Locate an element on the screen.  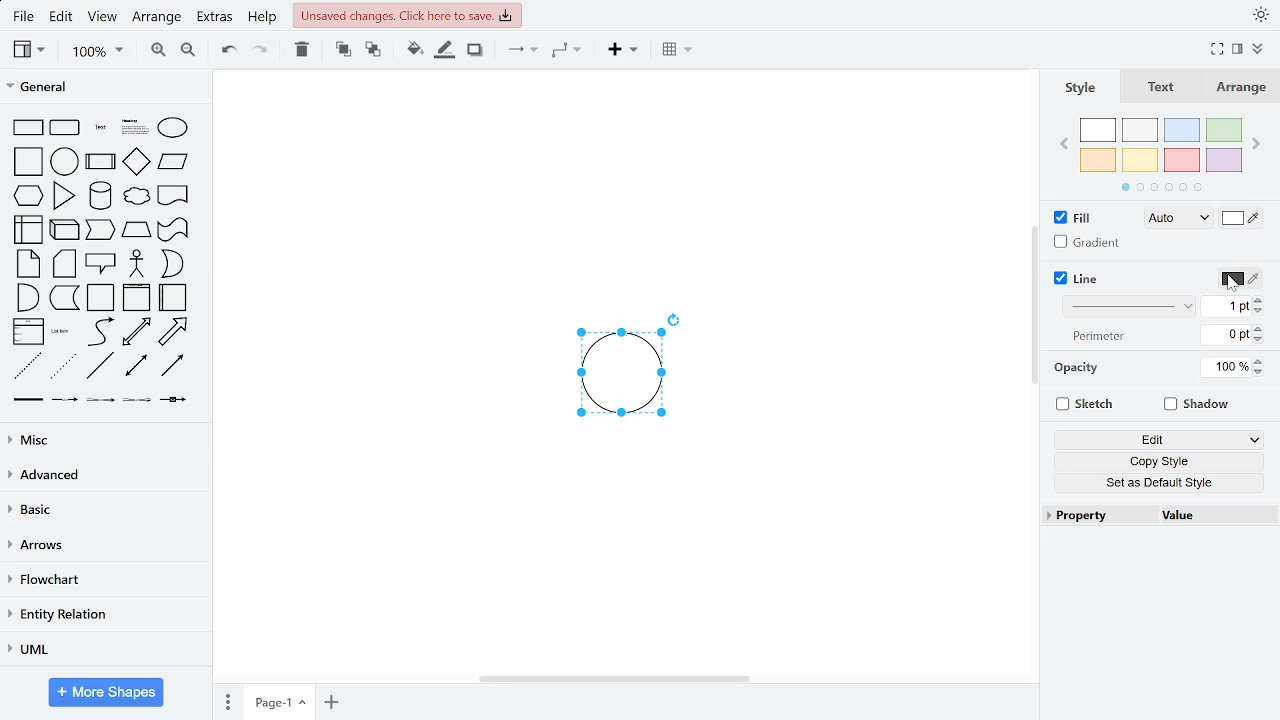
insert is located at coordinates (619, 51).